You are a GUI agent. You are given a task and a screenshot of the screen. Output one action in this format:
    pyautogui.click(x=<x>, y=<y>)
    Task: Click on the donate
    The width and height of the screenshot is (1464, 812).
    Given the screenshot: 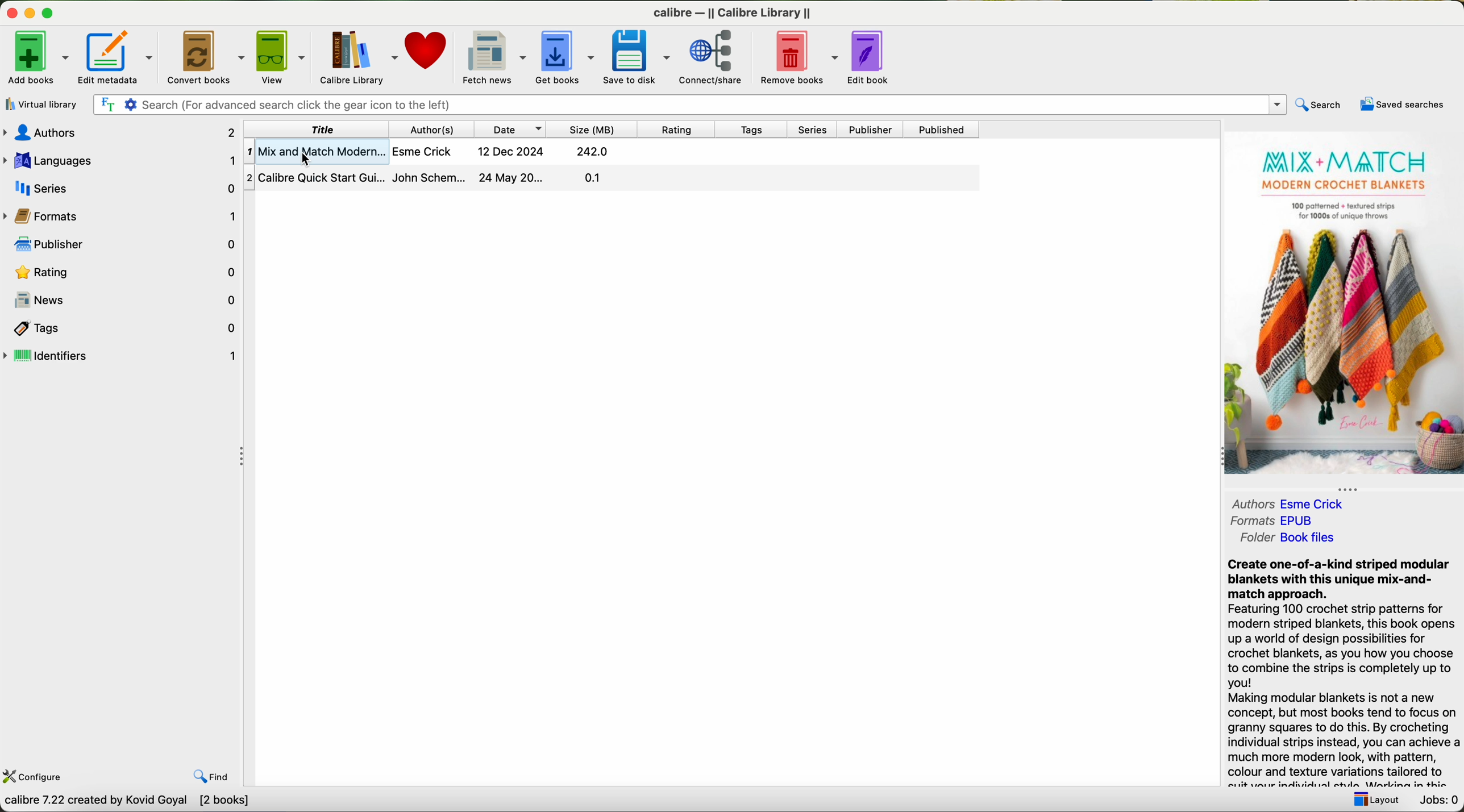 What is the action you would take?
    pyautogui.click(x=427, y=49)
    